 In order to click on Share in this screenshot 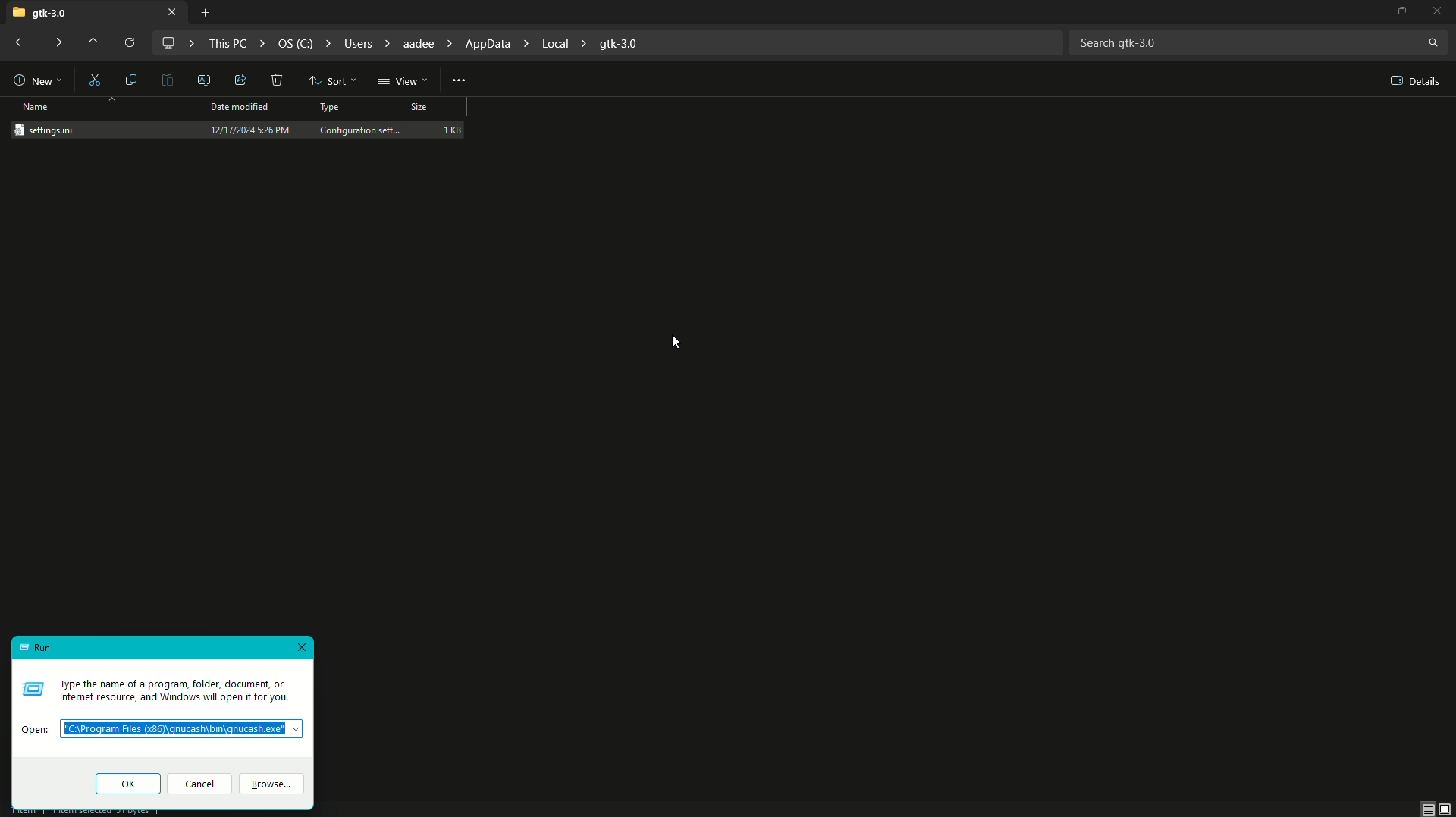, I will do `click(238, 81)`.